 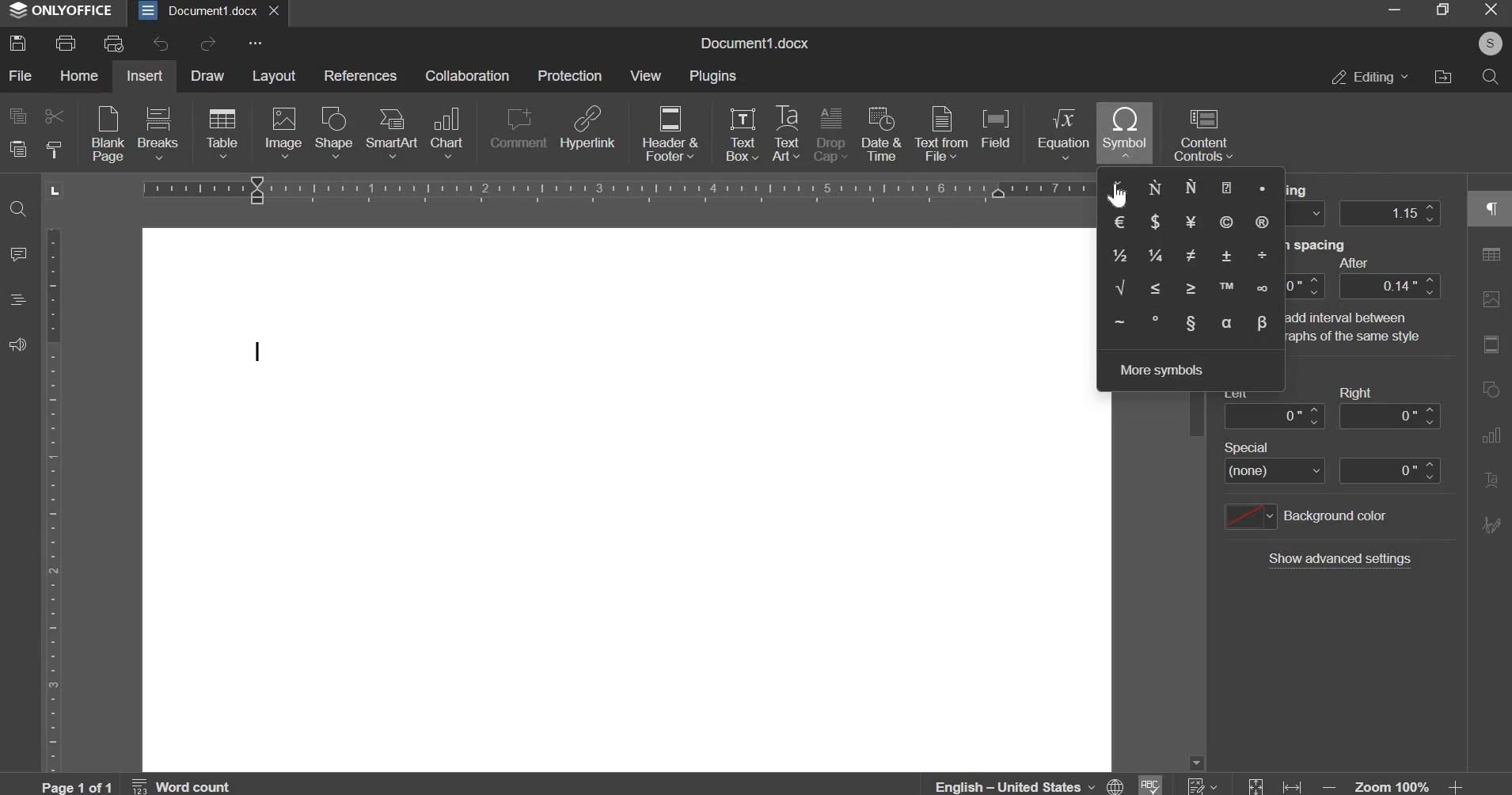 I want to click on redo, so click(x=208, y=44).